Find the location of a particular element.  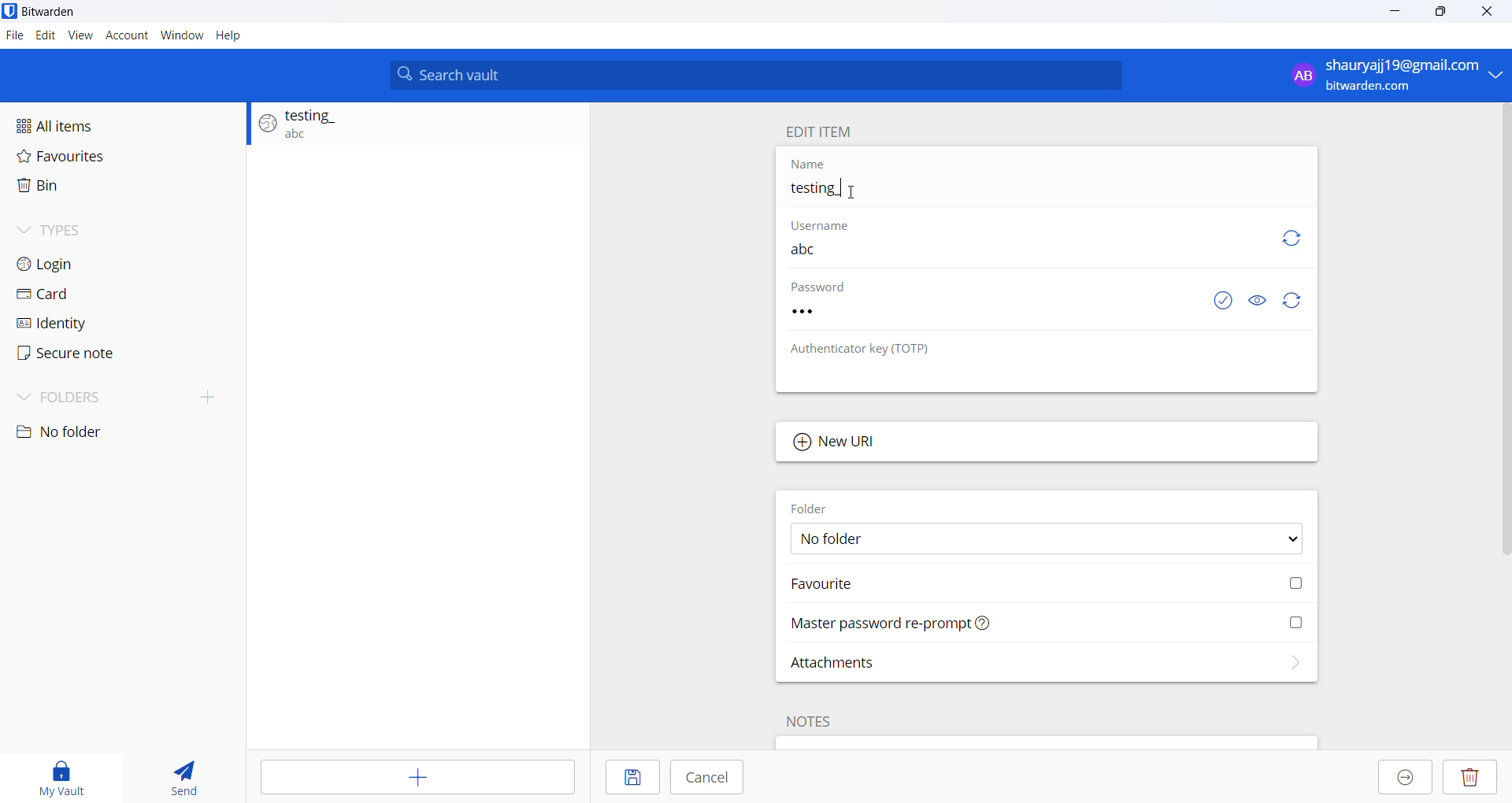

Account is located at coordinates (125, 34).